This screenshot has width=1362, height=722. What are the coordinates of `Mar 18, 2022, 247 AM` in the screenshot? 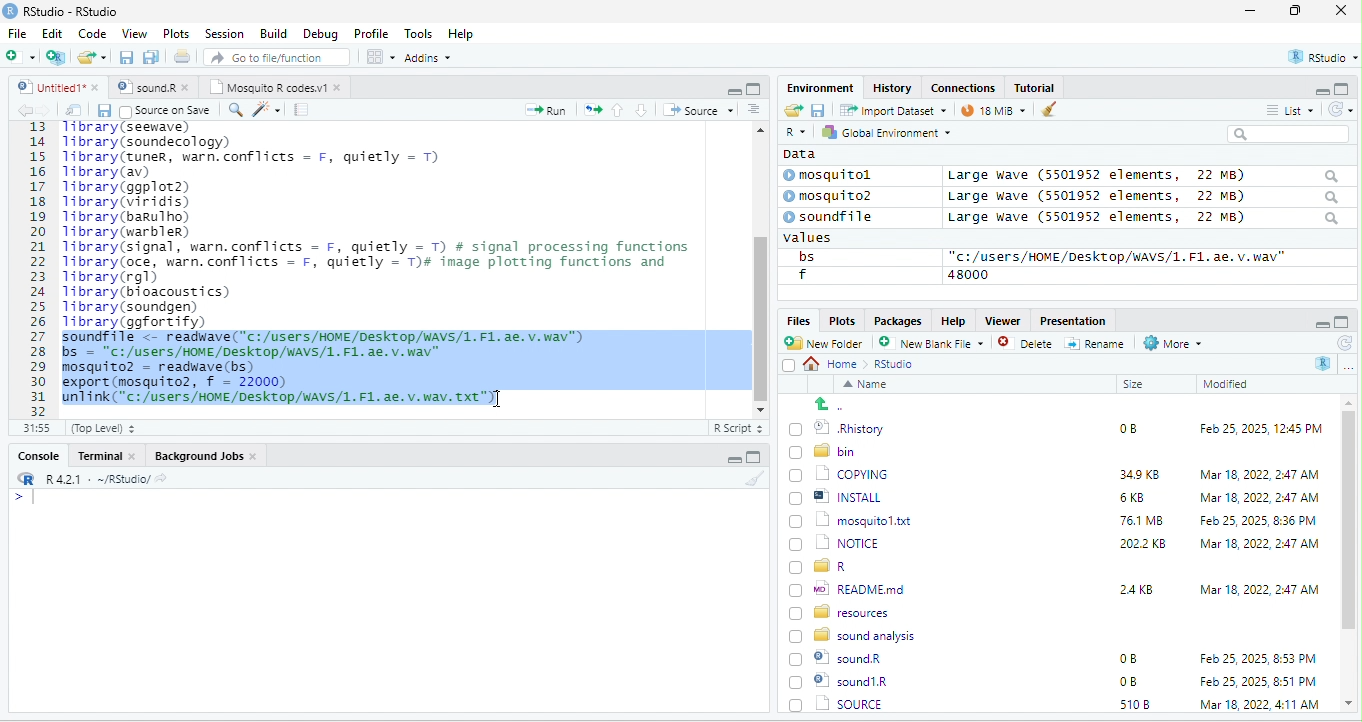 It's located at (1260, 474).